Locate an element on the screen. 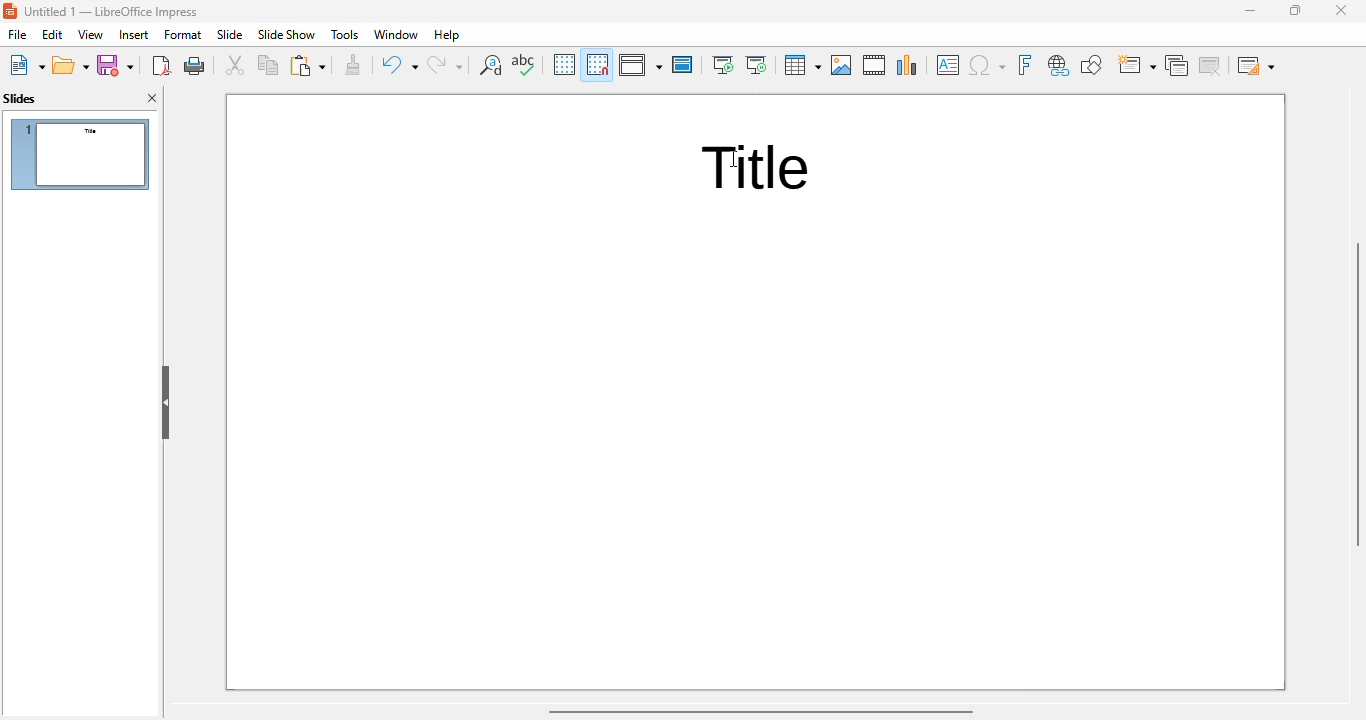  export directly as PDF is located at coordinates (161, 65).